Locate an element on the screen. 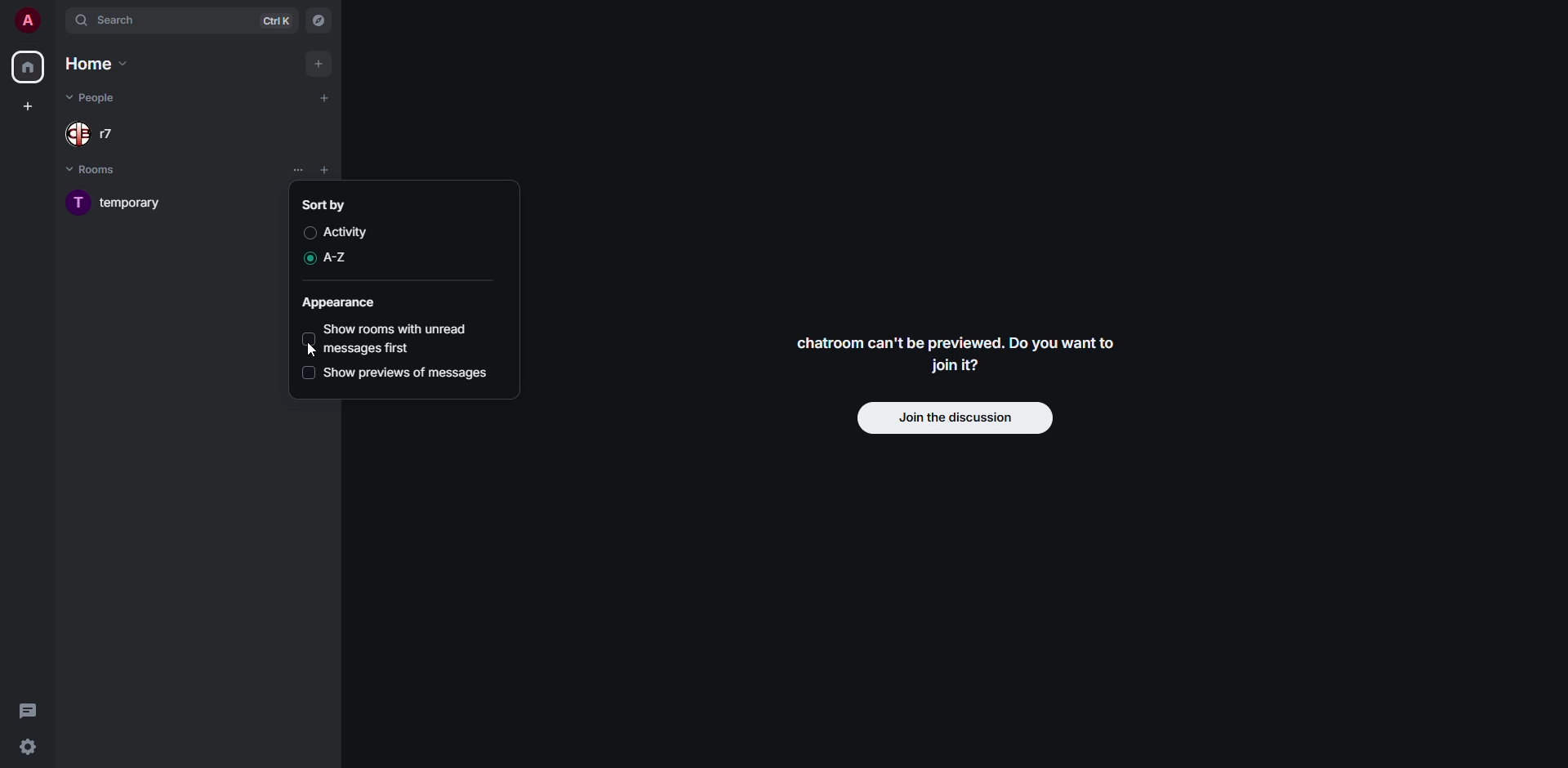 The width and height of the screenshot is (1568, 768). cursor is located at coordinates (301, 352).